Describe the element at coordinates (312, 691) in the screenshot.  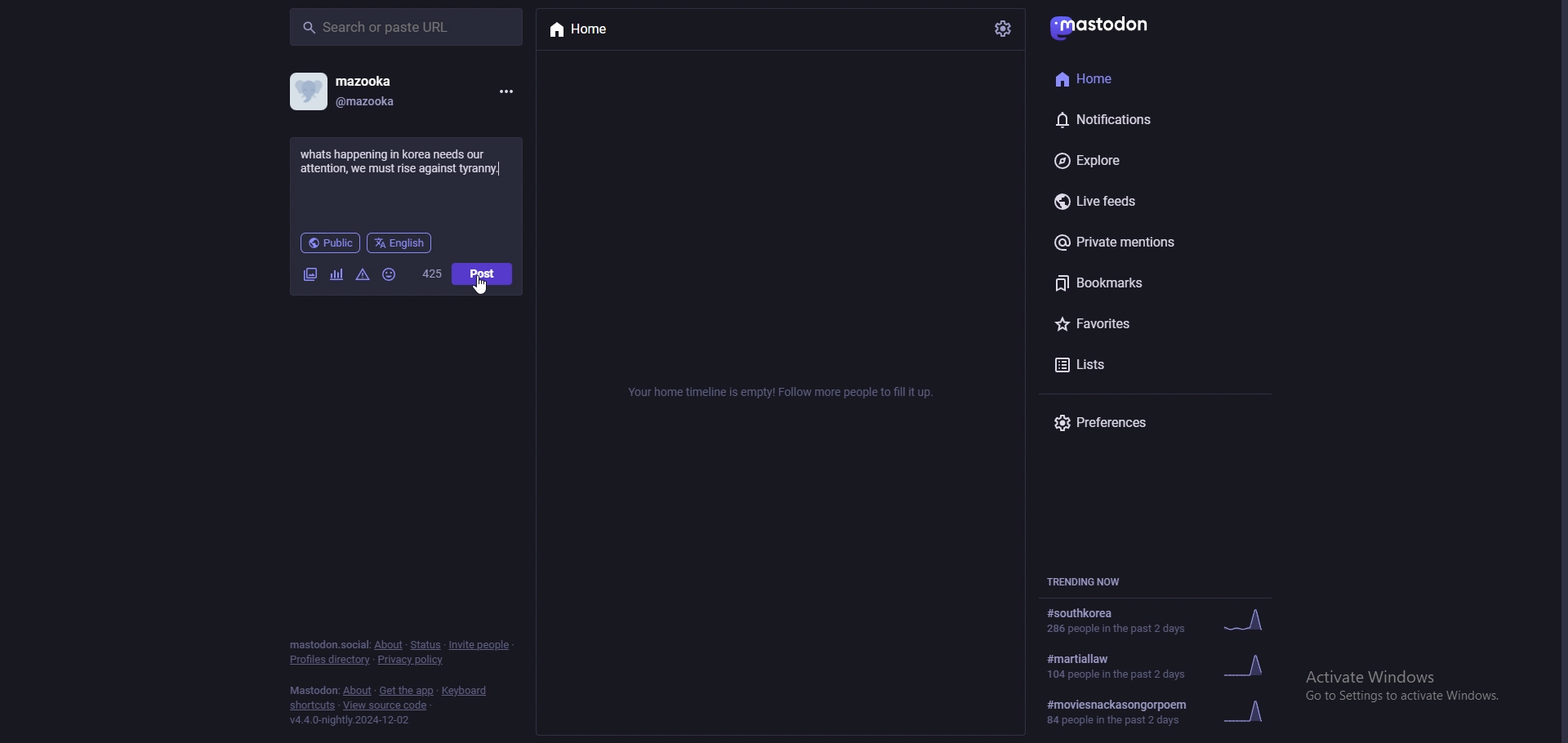
I see `mastodon` at that location.